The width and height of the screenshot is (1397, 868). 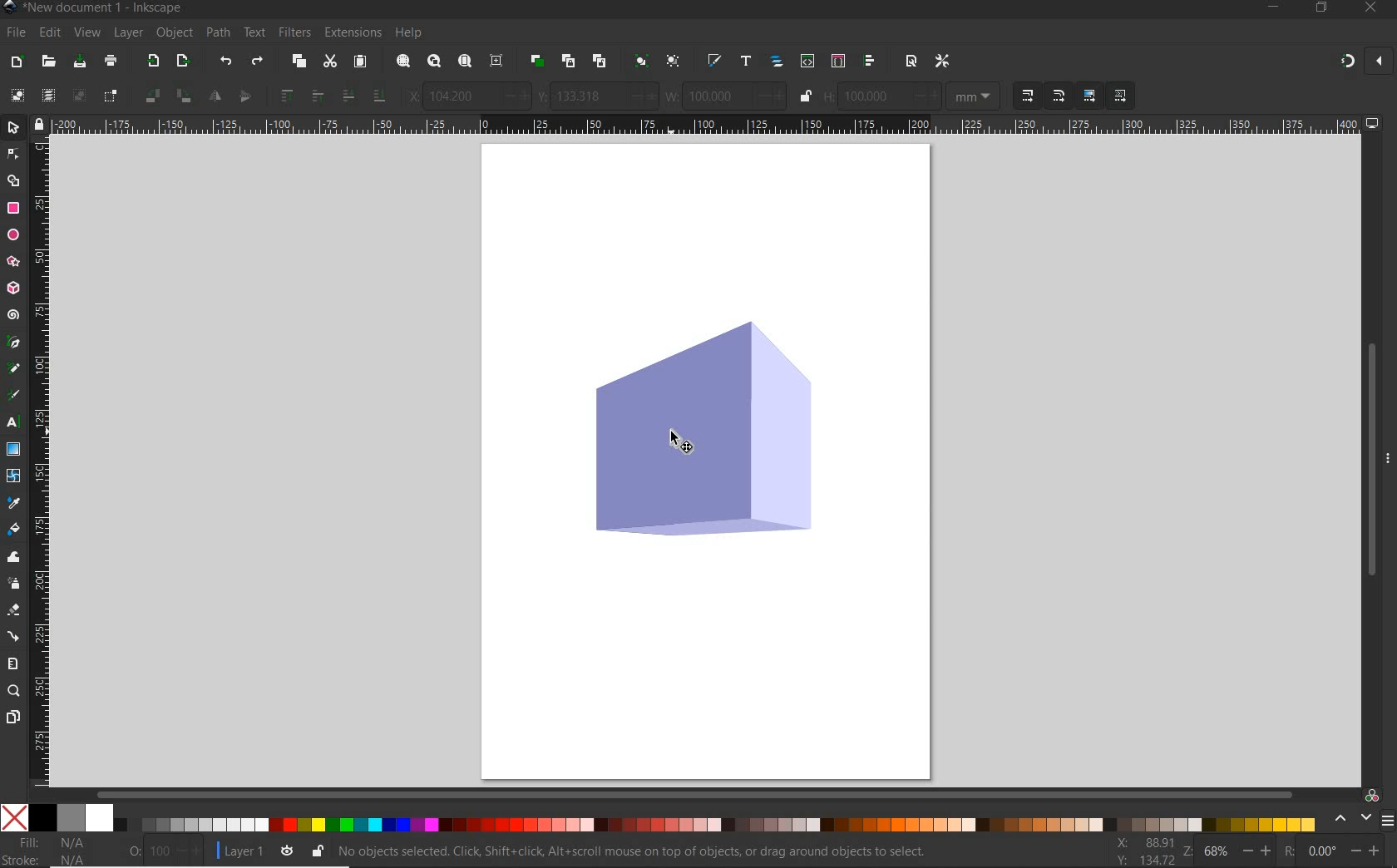 What do you see at coordinates (13, 662) in the screenshot?
I see `MEASURE TOOL` at bounding box center [13, 662].